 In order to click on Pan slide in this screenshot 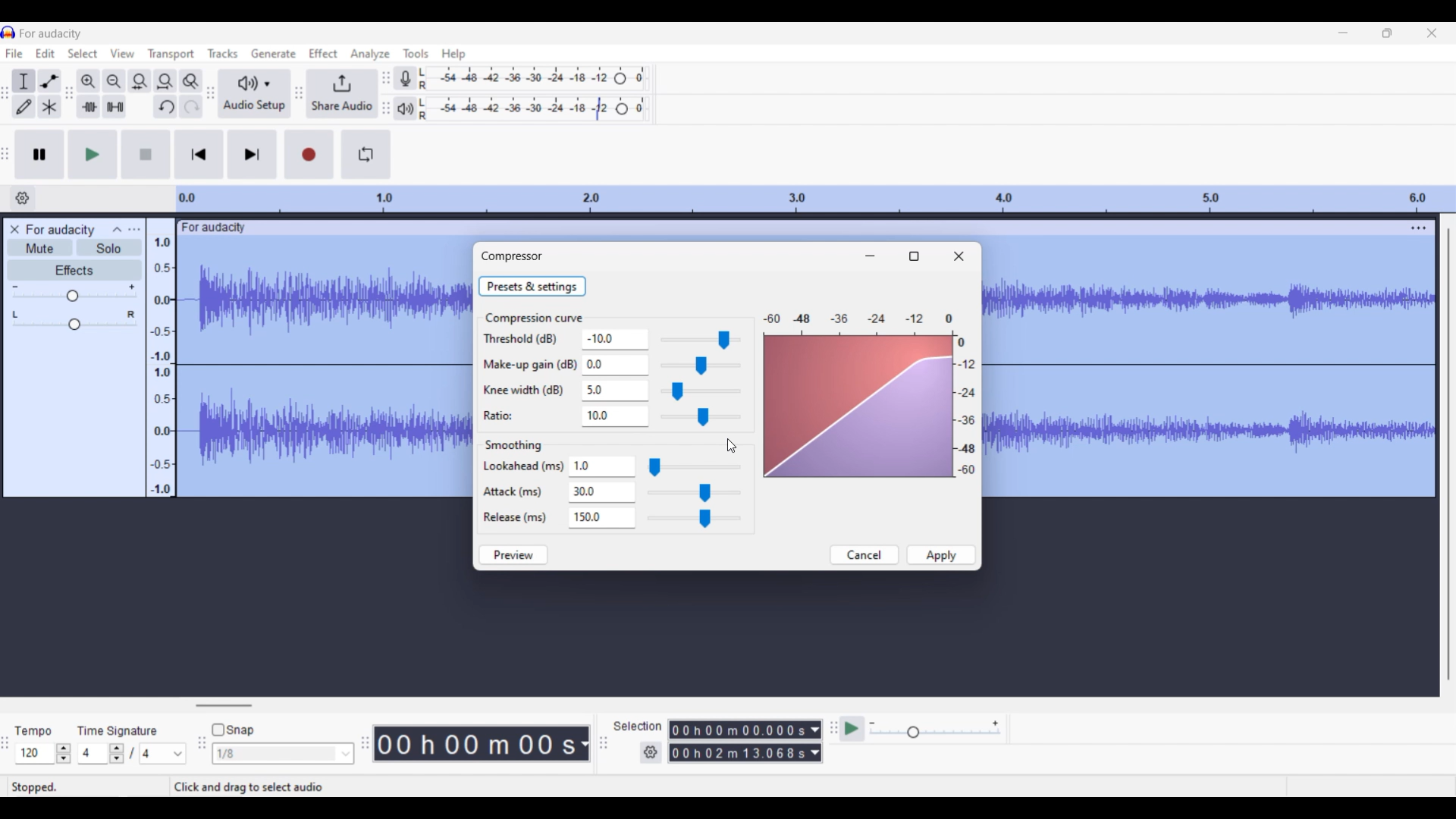, I will do `click(74, 320)`.